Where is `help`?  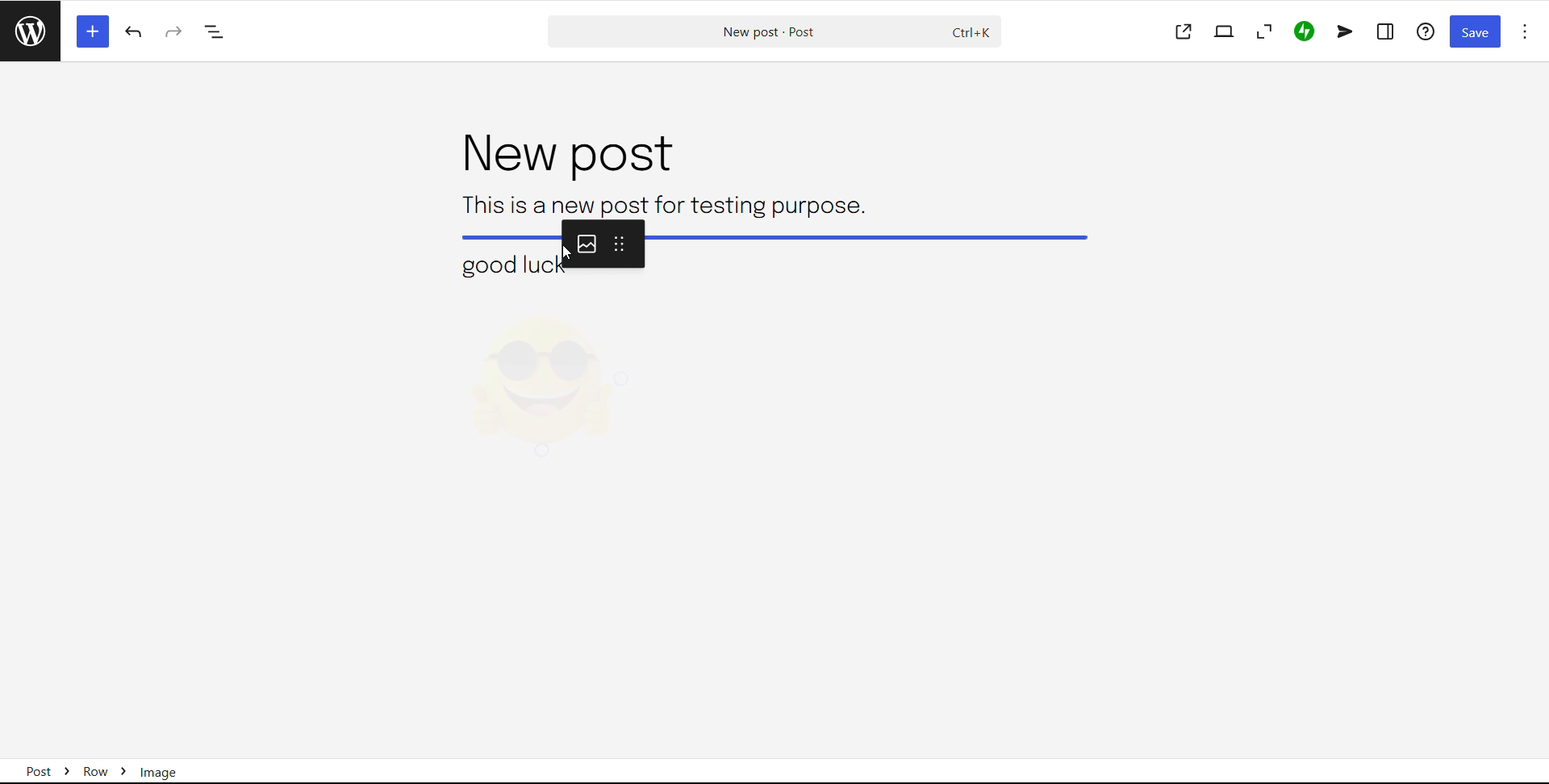 help is located at coordinates (1427, 31).